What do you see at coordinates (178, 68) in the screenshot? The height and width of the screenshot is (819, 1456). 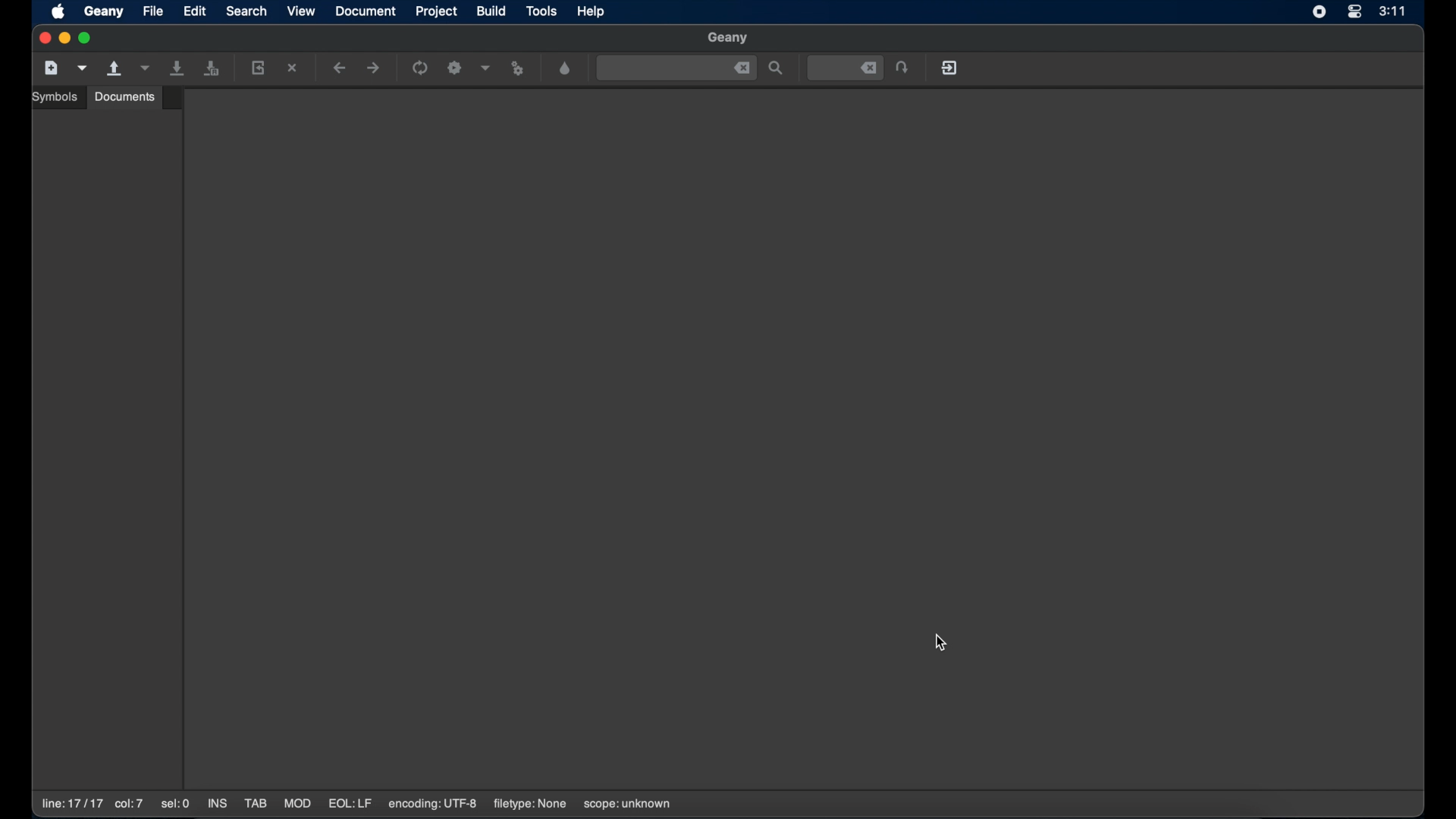 I see `save all current file` at bounding box center [178, 68].